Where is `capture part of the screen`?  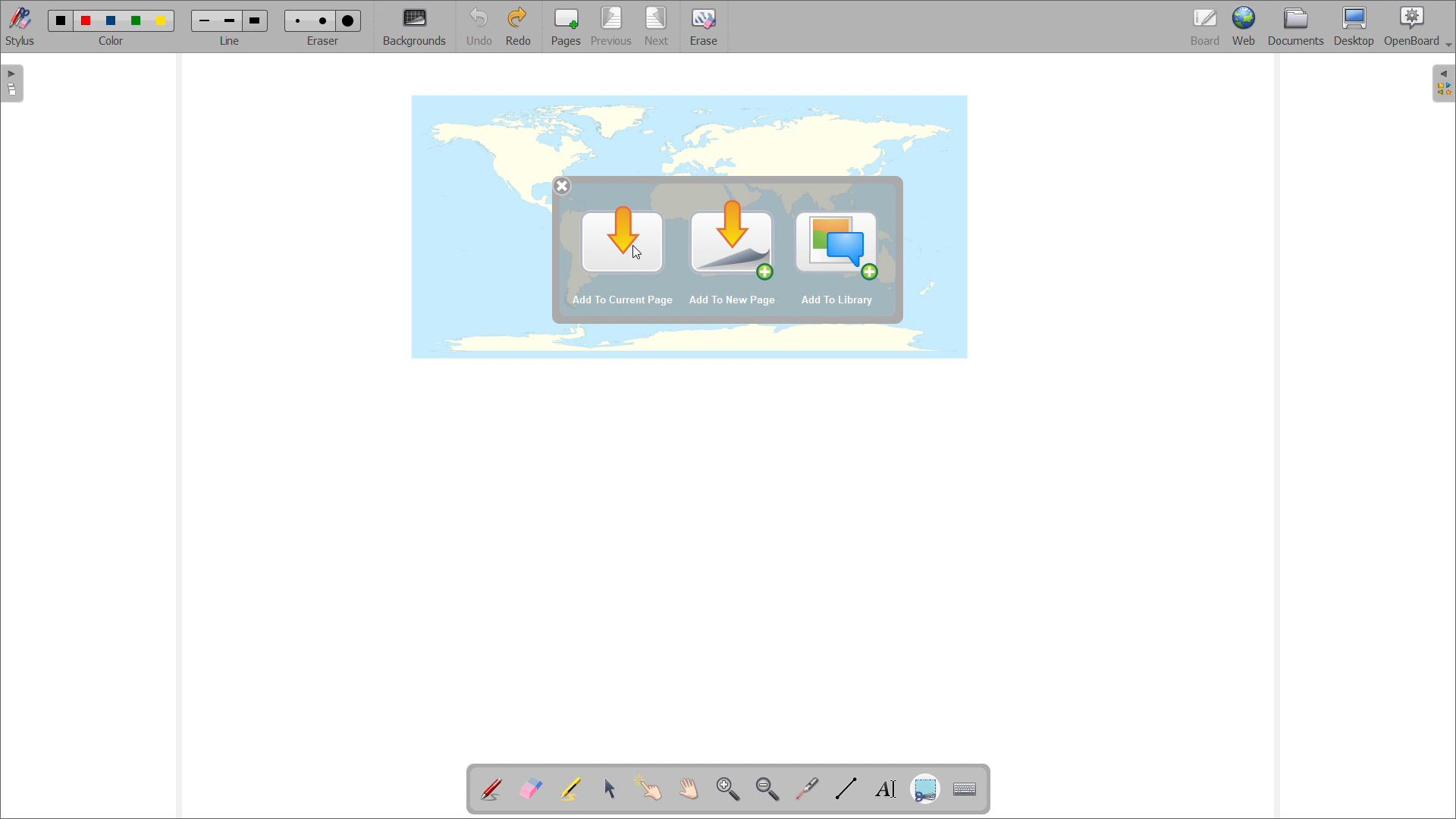 capture part of the screen is located at coordinates (925, 790).